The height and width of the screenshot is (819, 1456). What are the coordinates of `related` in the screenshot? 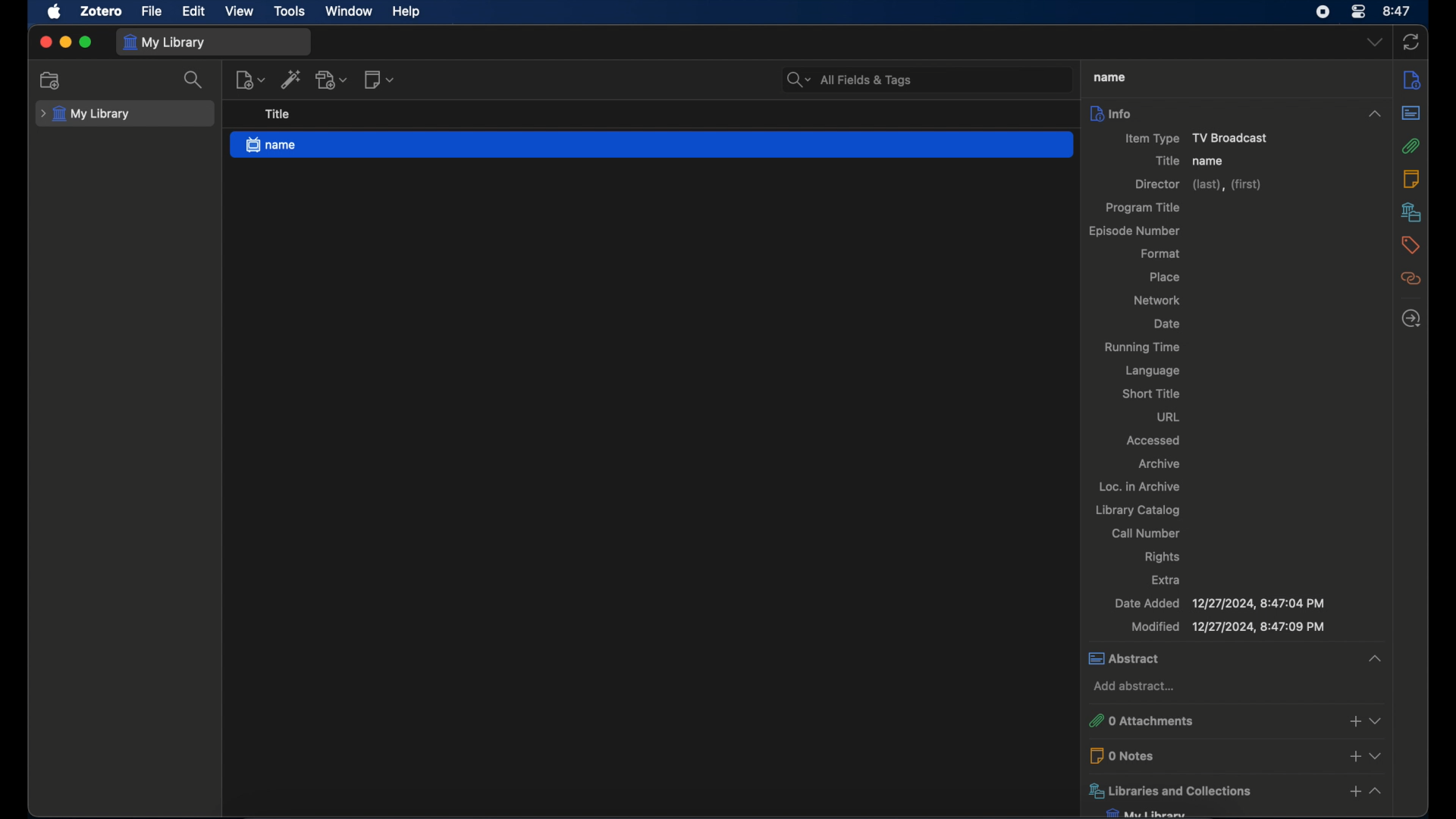 It's located at (1411, 278).